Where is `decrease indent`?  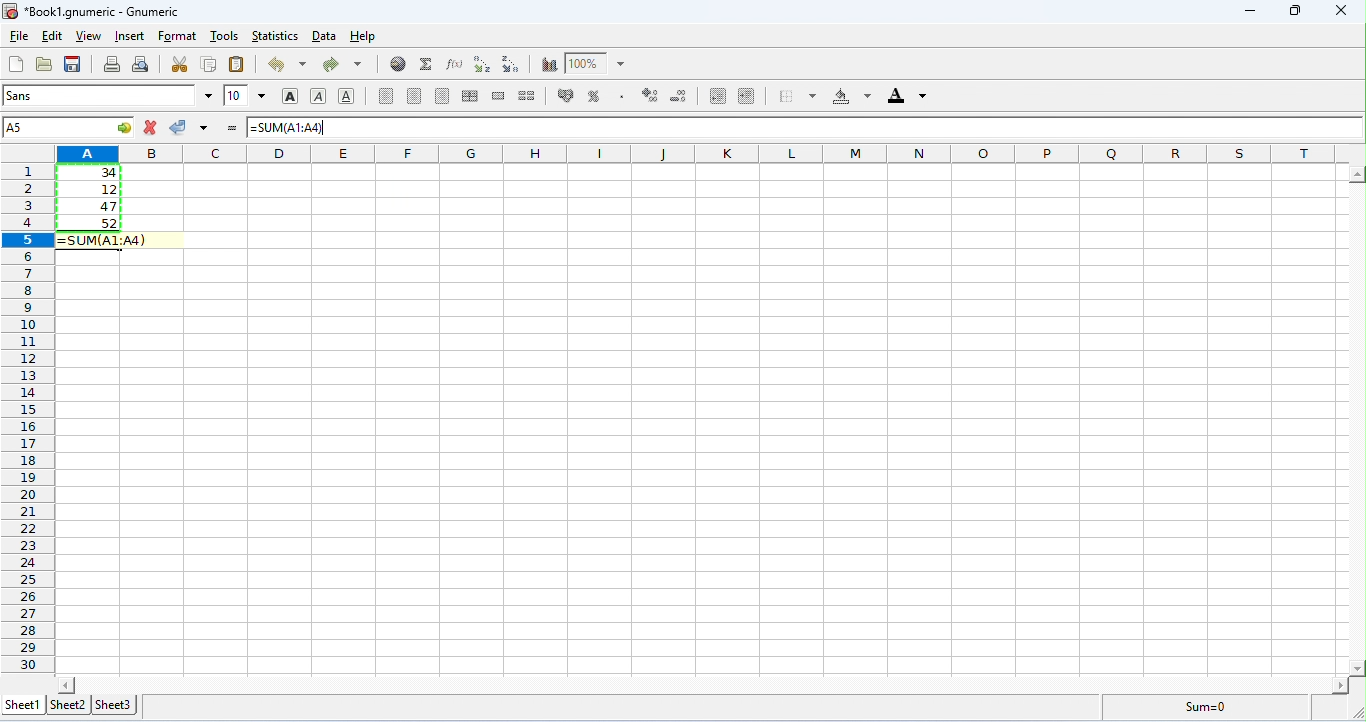
decrease indent is located at coordinates (747, 95).